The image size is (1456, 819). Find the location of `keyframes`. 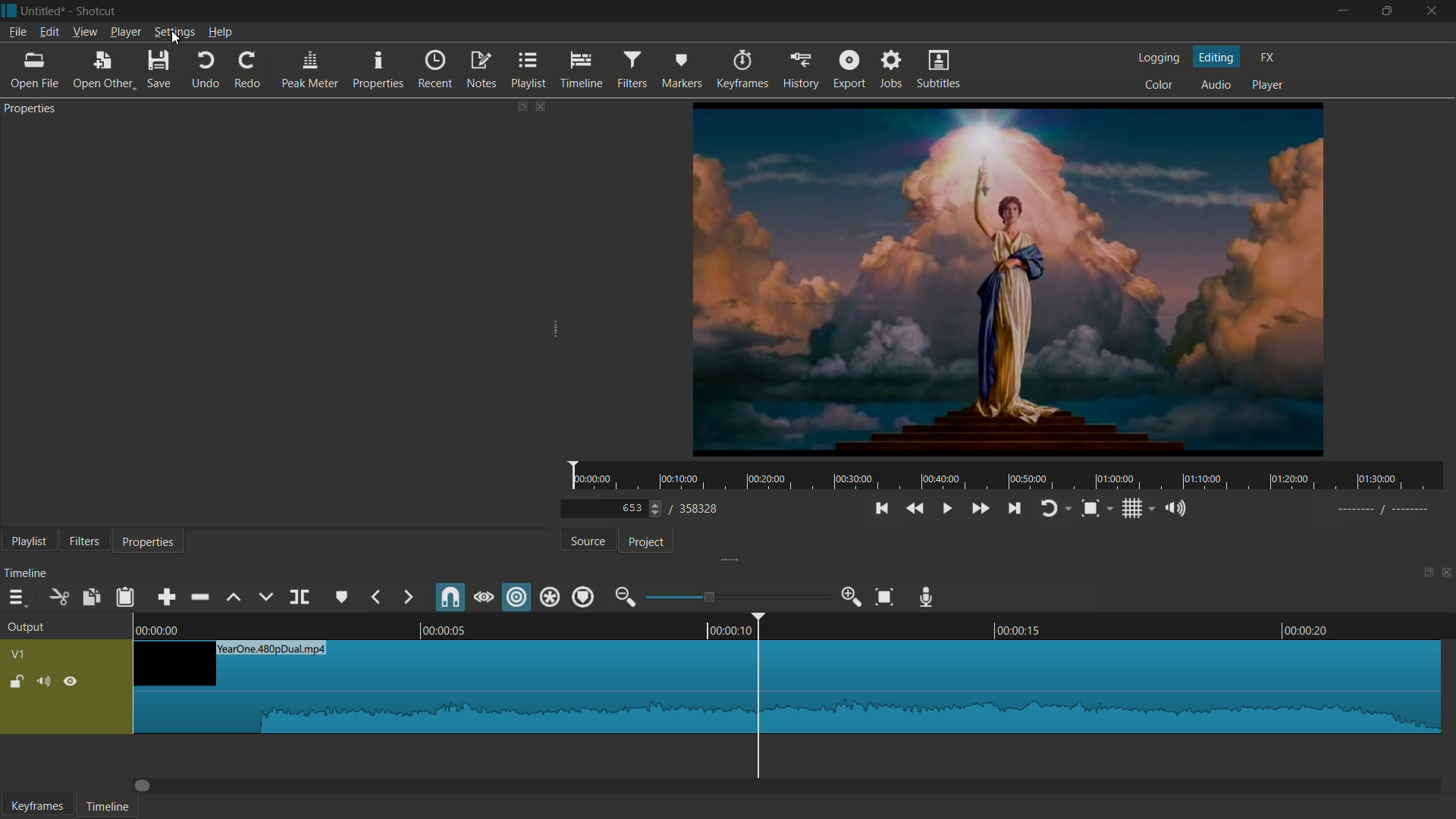

keyframes is located at coordinates (743, 69).